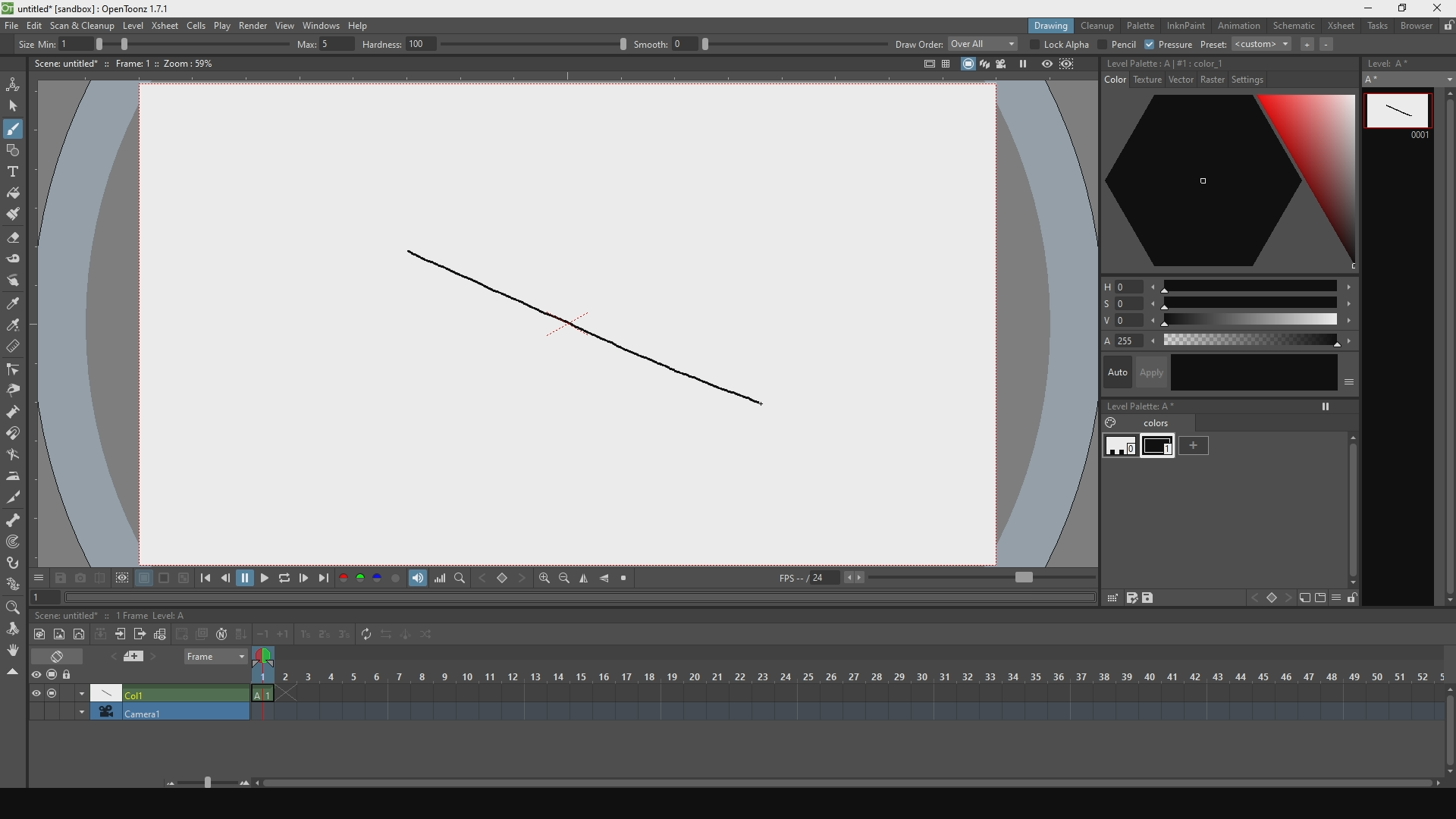  What do you see at coordinates (14, 497) in the screenshot?
I see `cut` at bounding box center [14, 497].